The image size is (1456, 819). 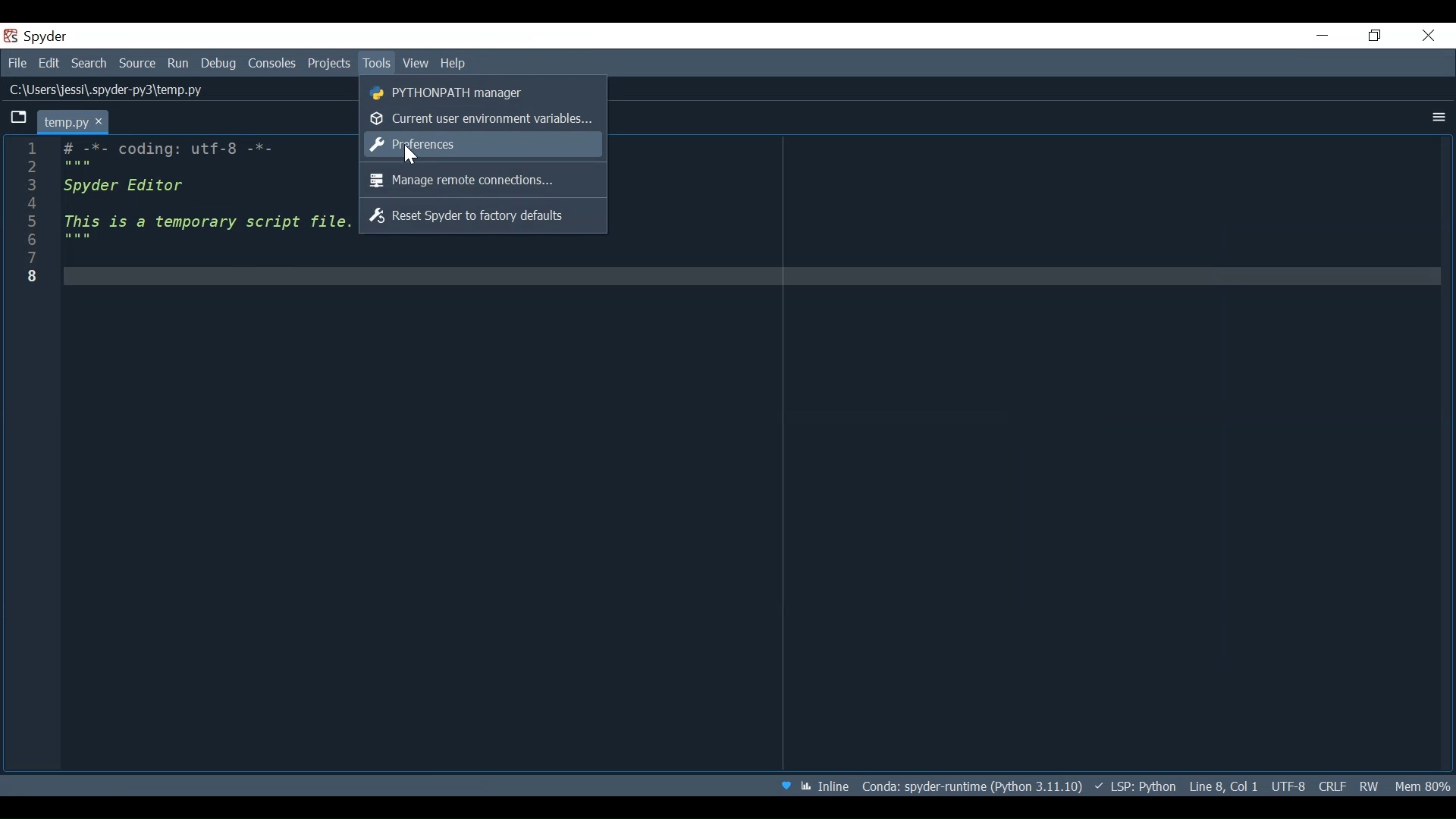 What do you see at coordinates (479, 119) in the screenshot?
I see `Current user environment variables` at bounding box center [479, 119].